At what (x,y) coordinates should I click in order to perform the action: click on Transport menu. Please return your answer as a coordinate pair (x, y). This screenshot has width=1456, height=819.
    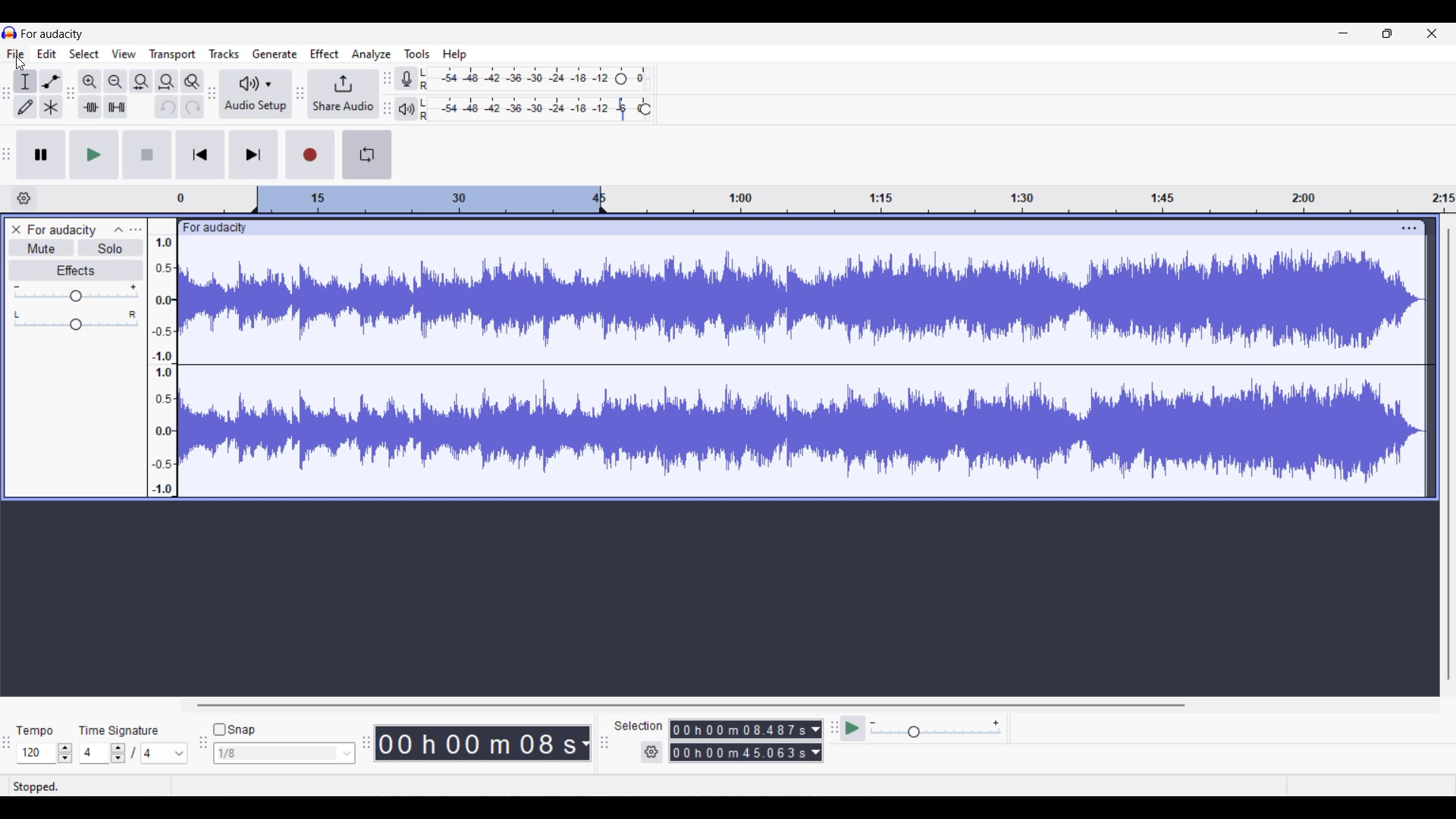
    Looking at the image, I should click on (173, 55).